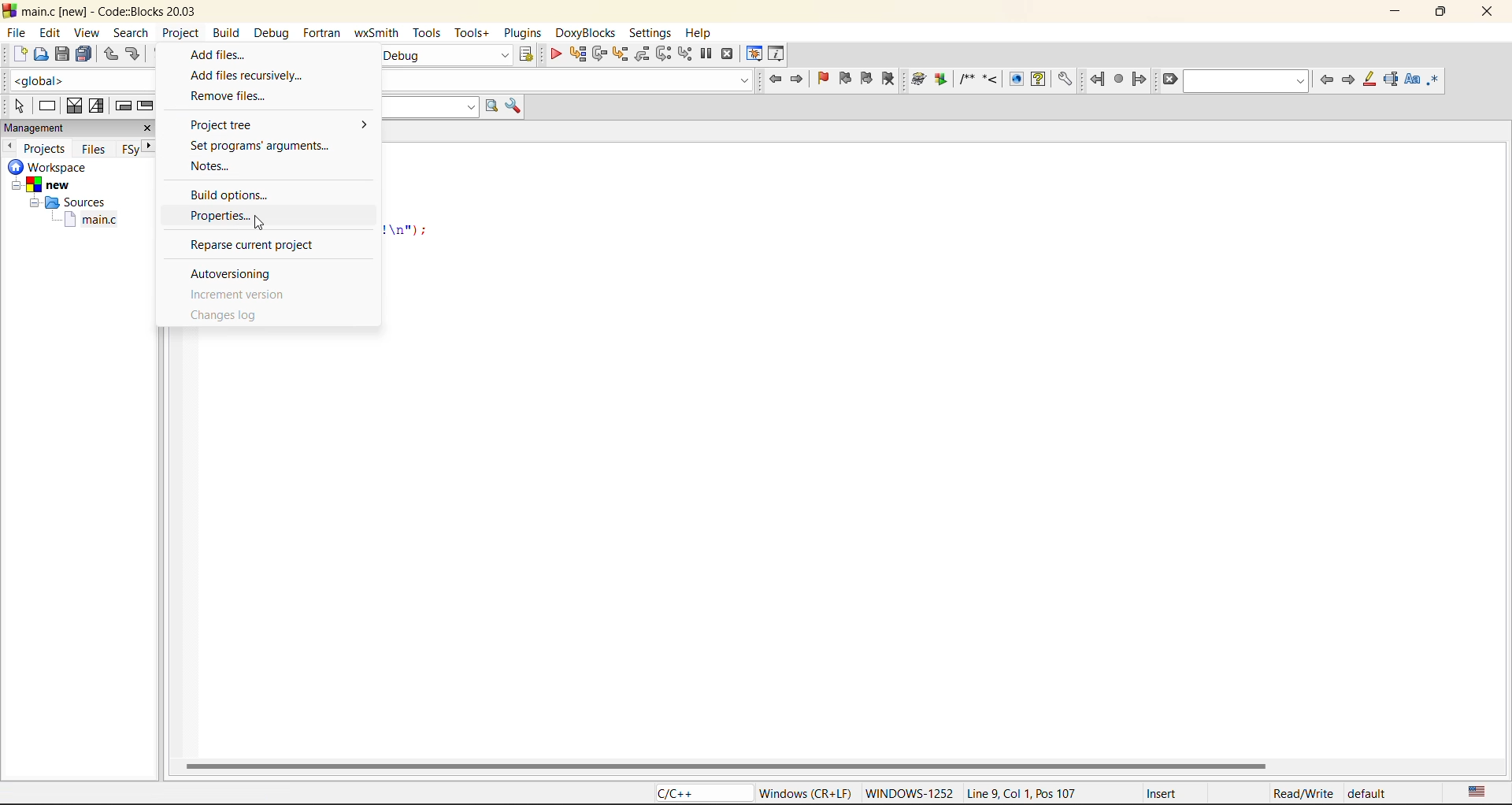 The width and height of the screenshot is (1512, 805). What do you see at coordinates (990, 79) in the screenshot?
I see `Insert a line comment at the current cursor position` at bounding box center [990, 79].